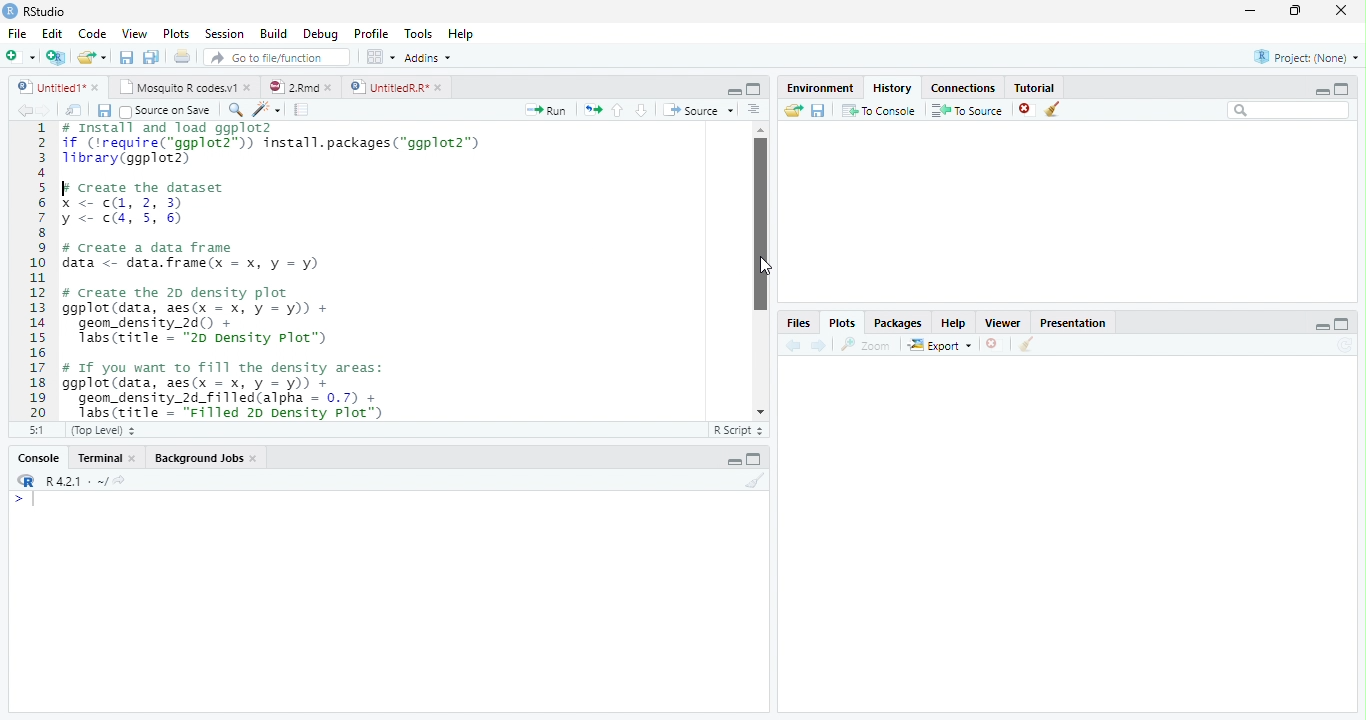  What do you see at coordinates (97, 87) in the screenshot?
I see `close` at bounding box center [97, 87].